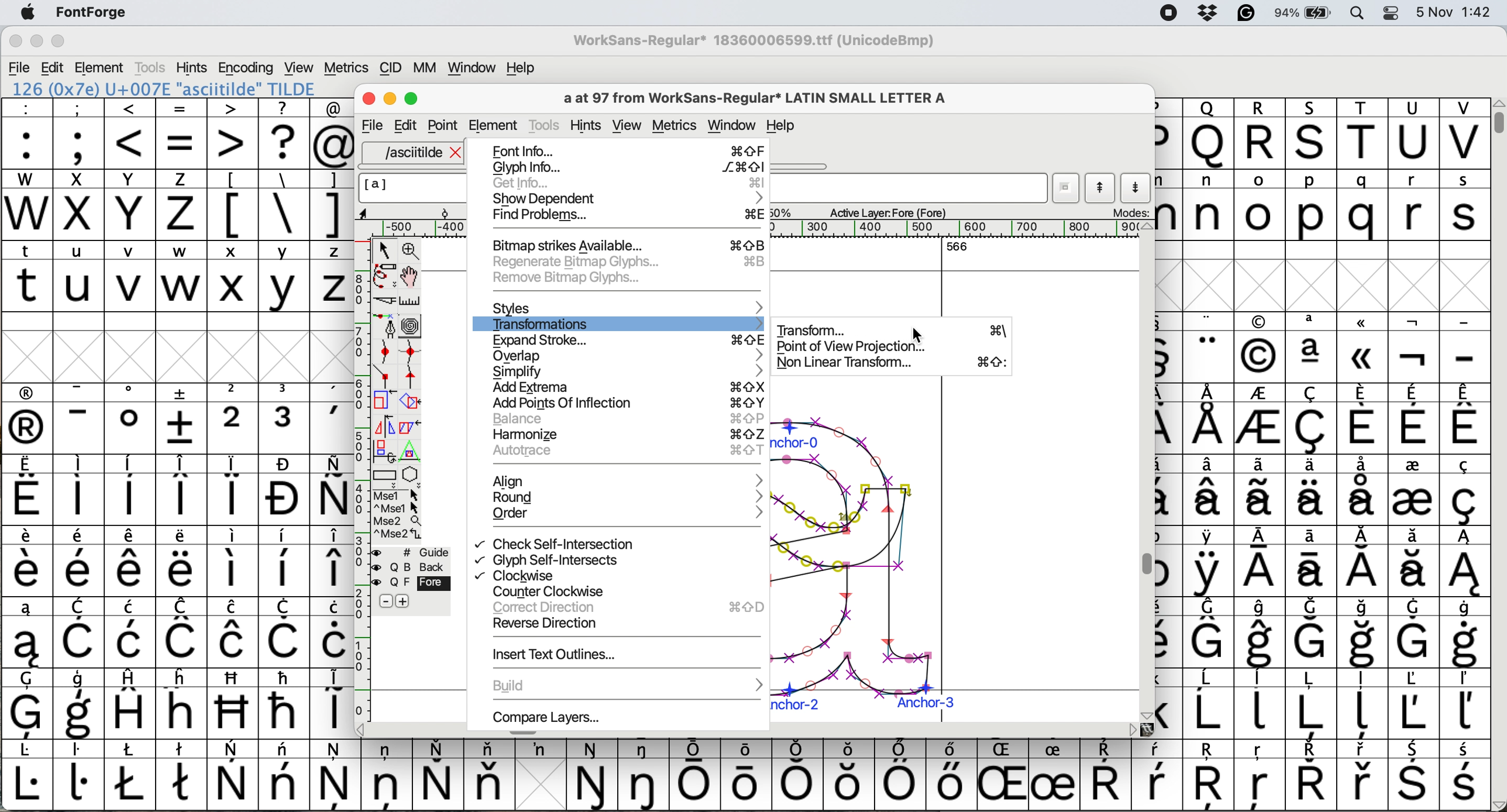  Describe the element at coordinates (234, 703) in the screenshot. I see `` at that location.